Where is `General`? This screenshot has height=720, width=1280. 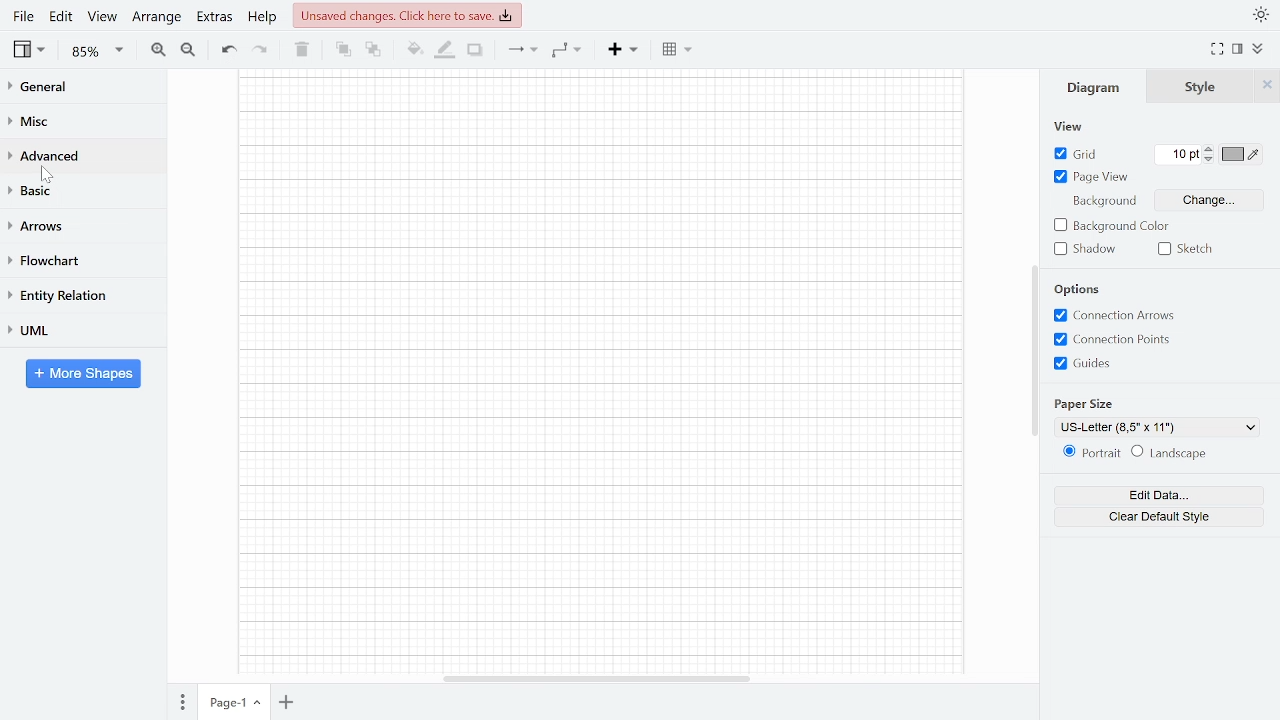 General is located at coordinates (81, 87).